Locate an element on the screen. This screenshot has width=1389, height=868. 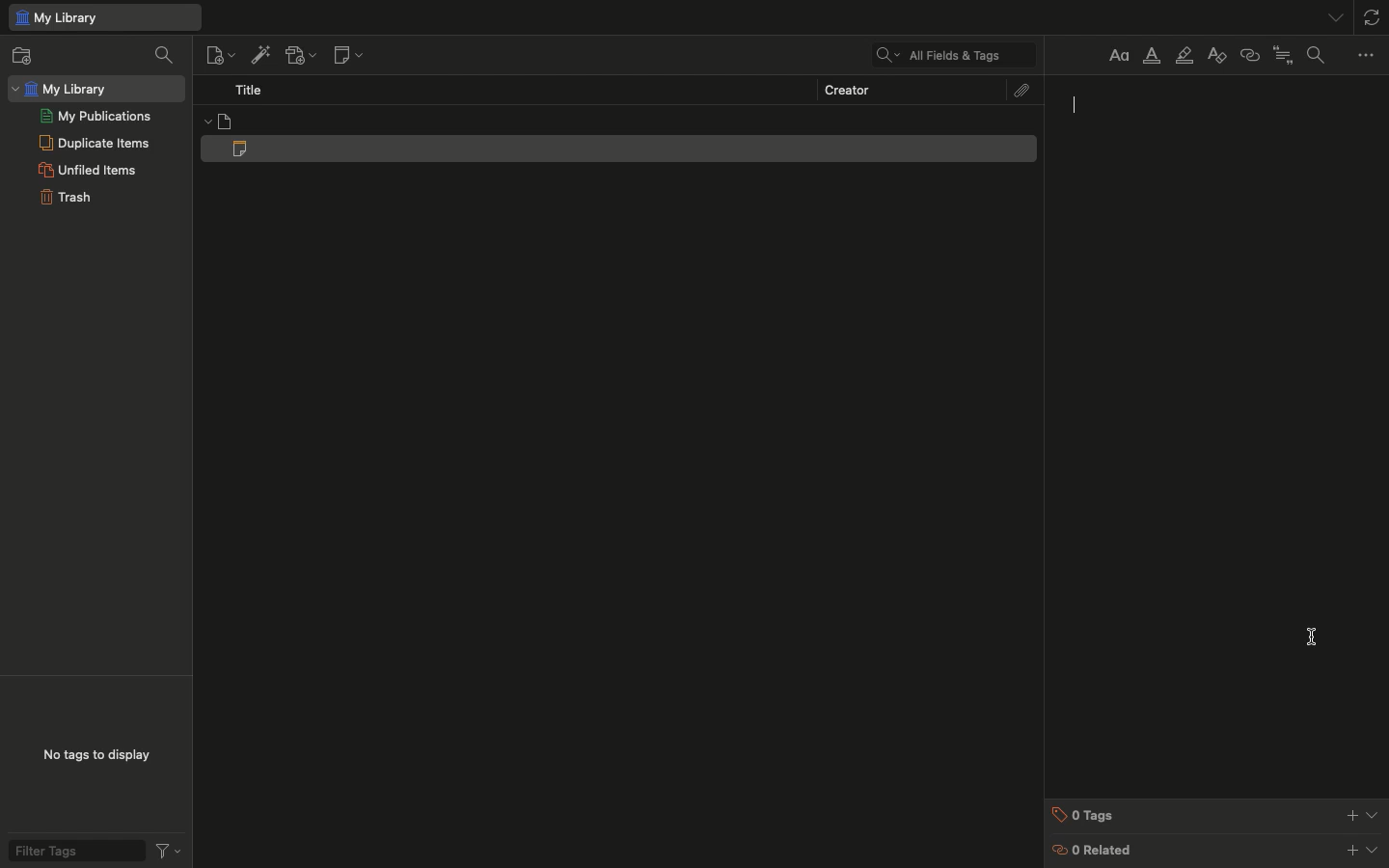
Search bar is located at coordinates (947, 54).